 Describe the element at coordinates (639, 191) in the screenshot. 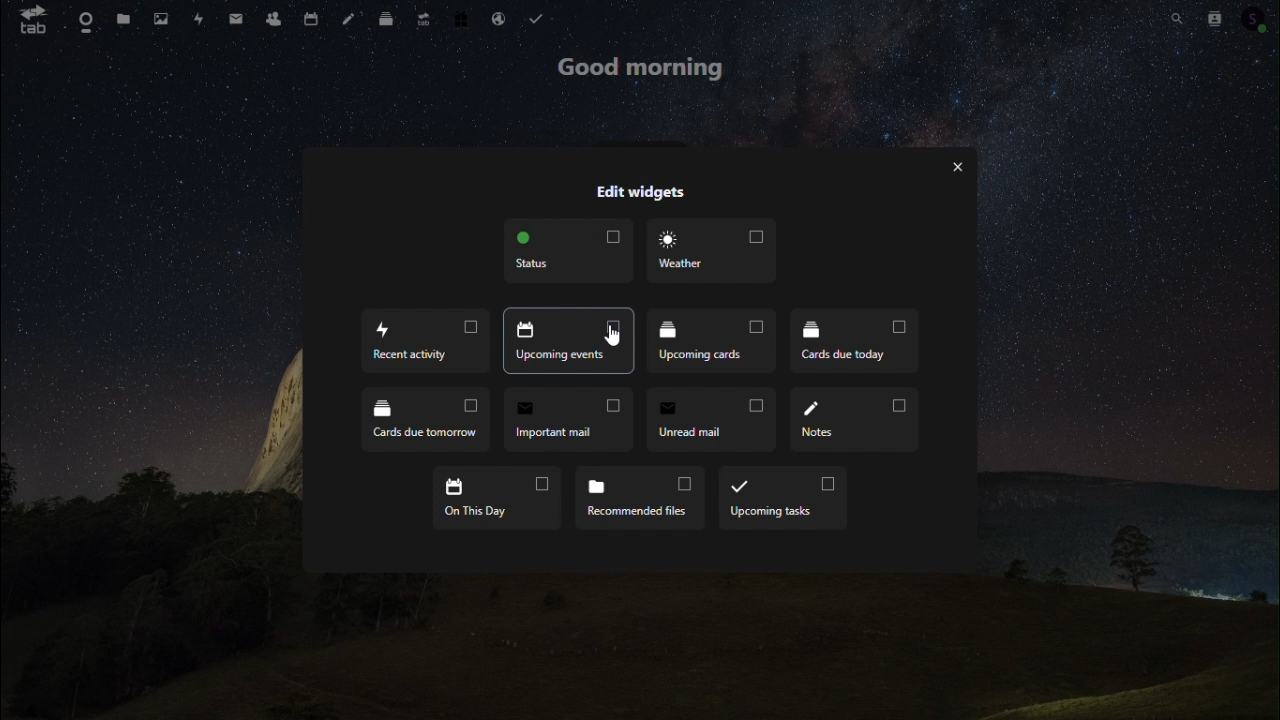

I see `Edit widgets` at that location.